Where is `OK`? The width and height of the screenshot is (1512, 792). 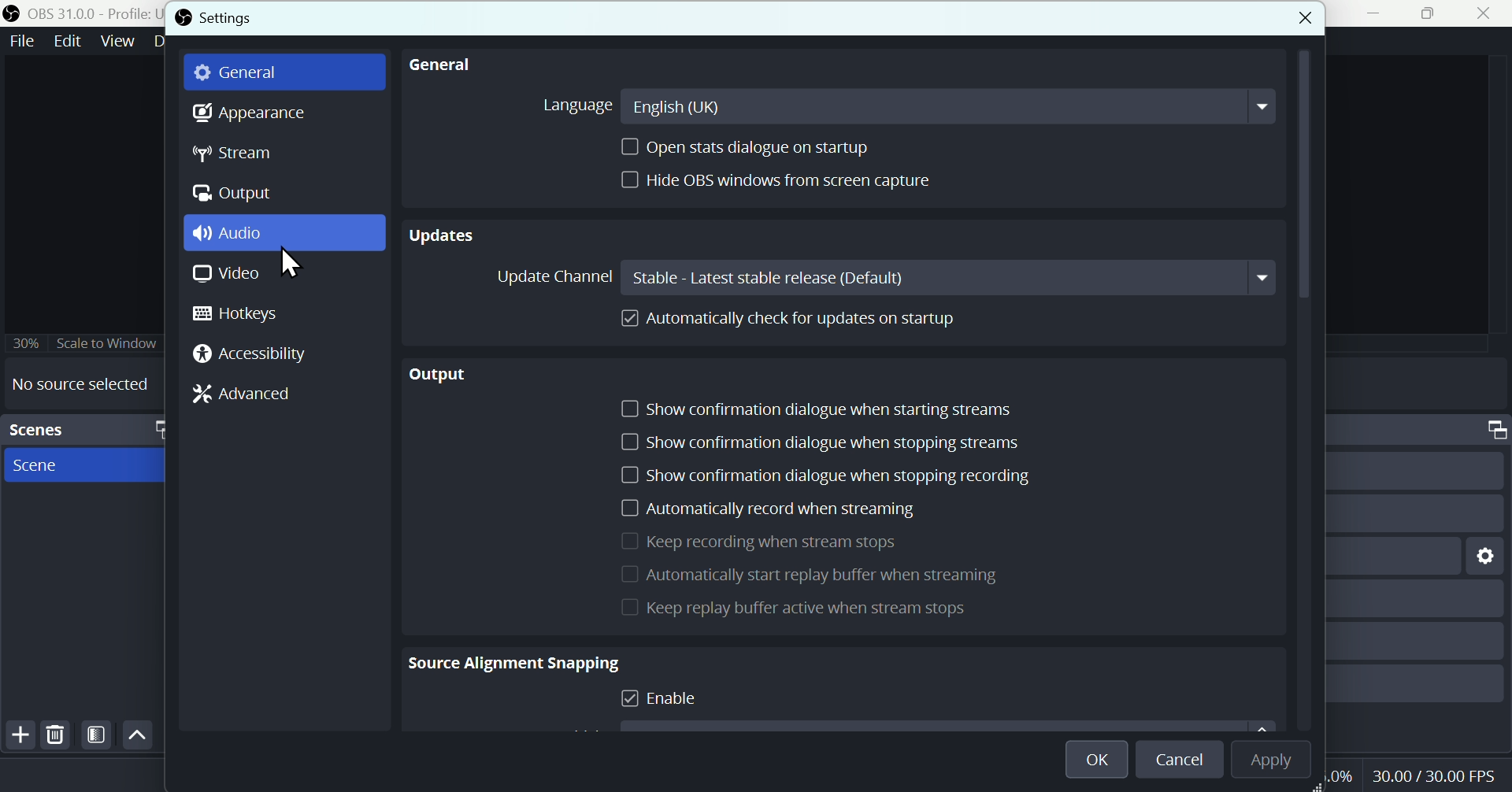
OK is located at coordinates (1091, 757).